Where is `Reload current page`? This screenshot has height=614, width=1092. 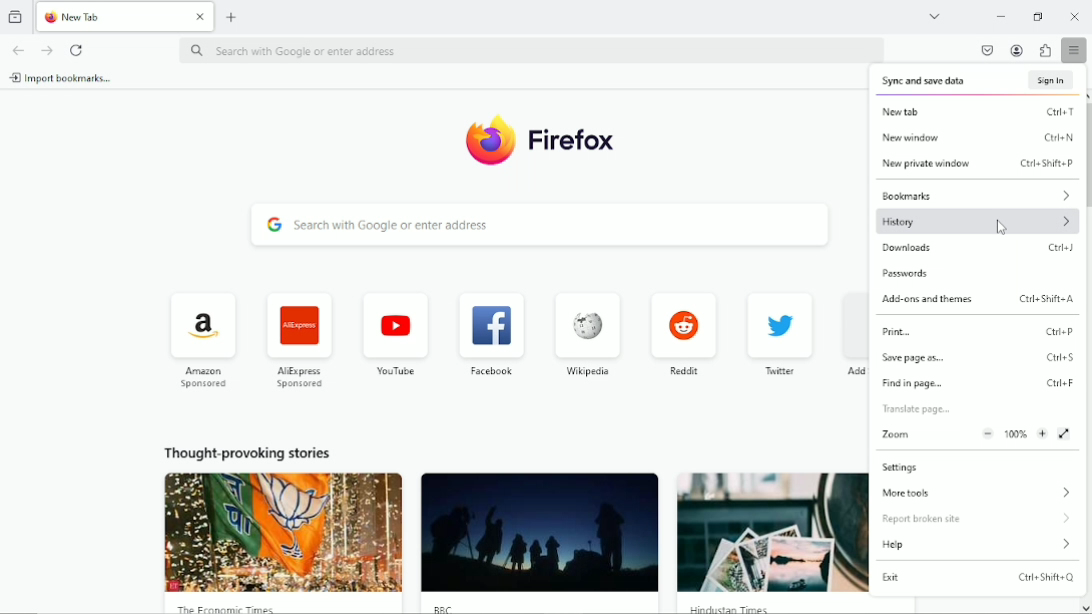 Reload current page is located at coordinates (77, 49).